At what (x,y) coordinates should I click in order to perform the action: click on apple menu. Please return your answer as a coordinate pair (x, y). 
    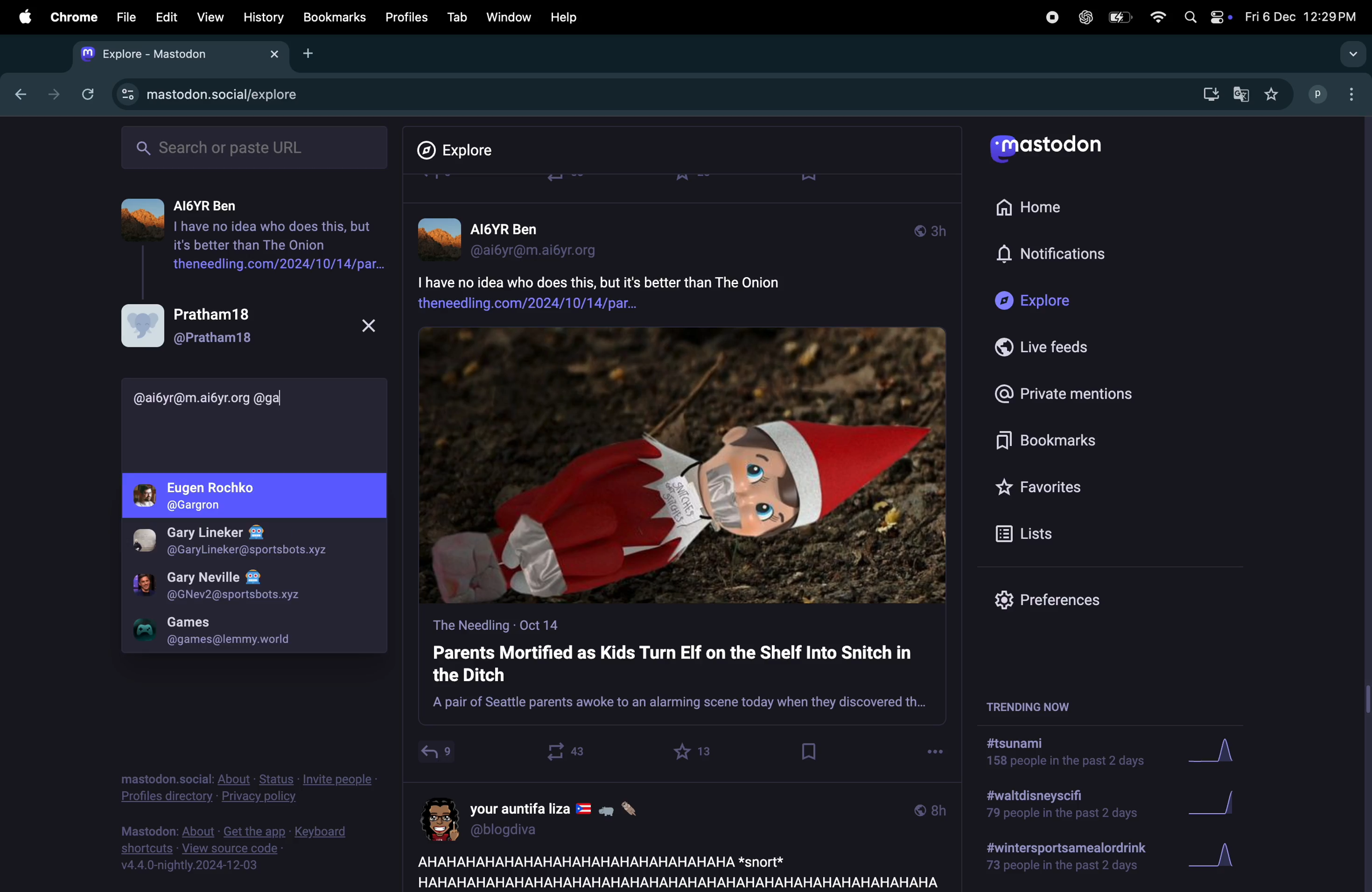
    Looking at the image, I should click on (20, 16).